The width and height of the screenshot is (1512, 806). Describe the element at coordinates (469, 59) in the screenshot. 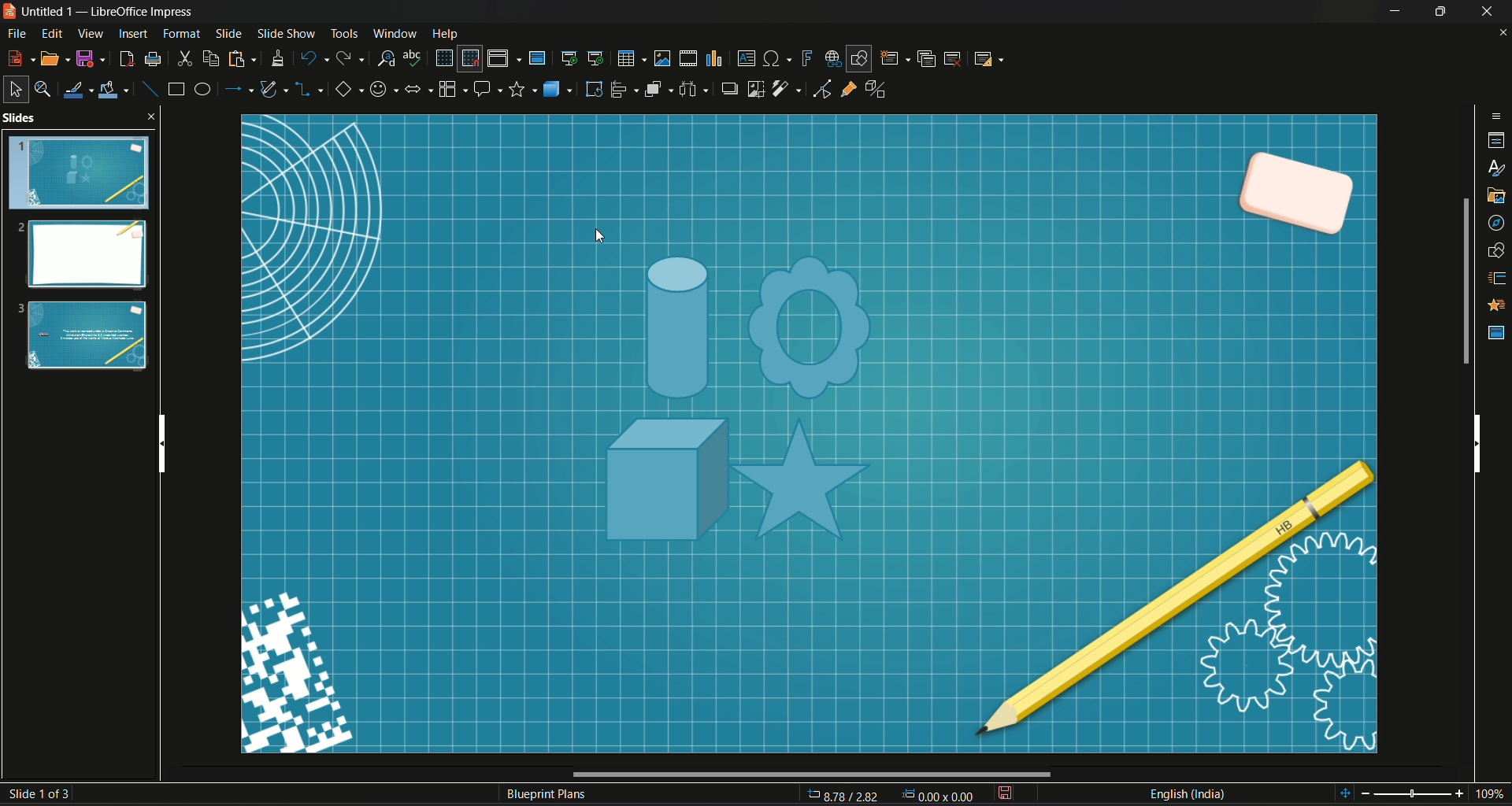

I see `snap to grid` at that location.